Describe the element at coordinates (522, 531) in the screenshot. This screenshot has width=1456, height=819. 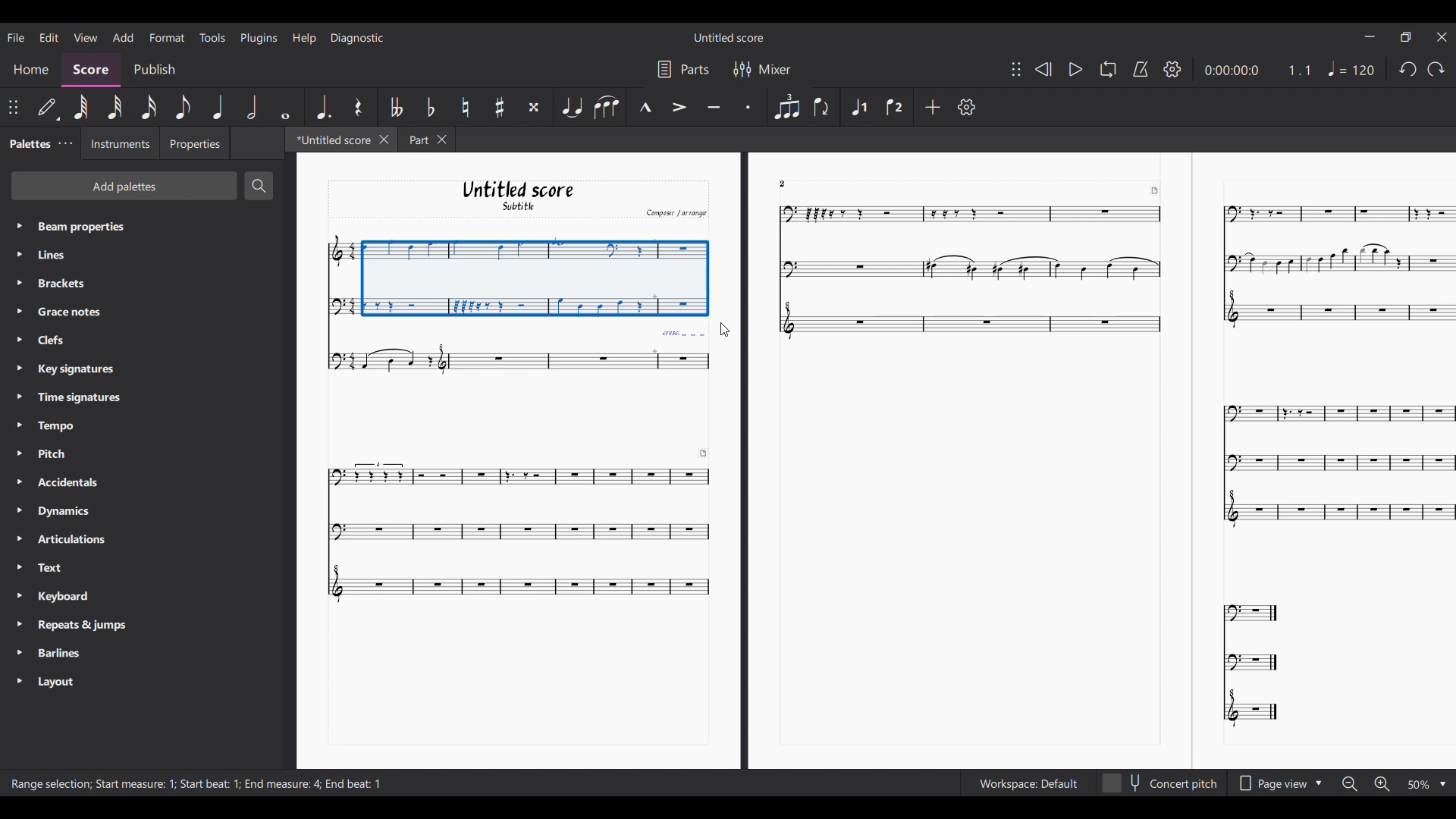
I see `` at that location.